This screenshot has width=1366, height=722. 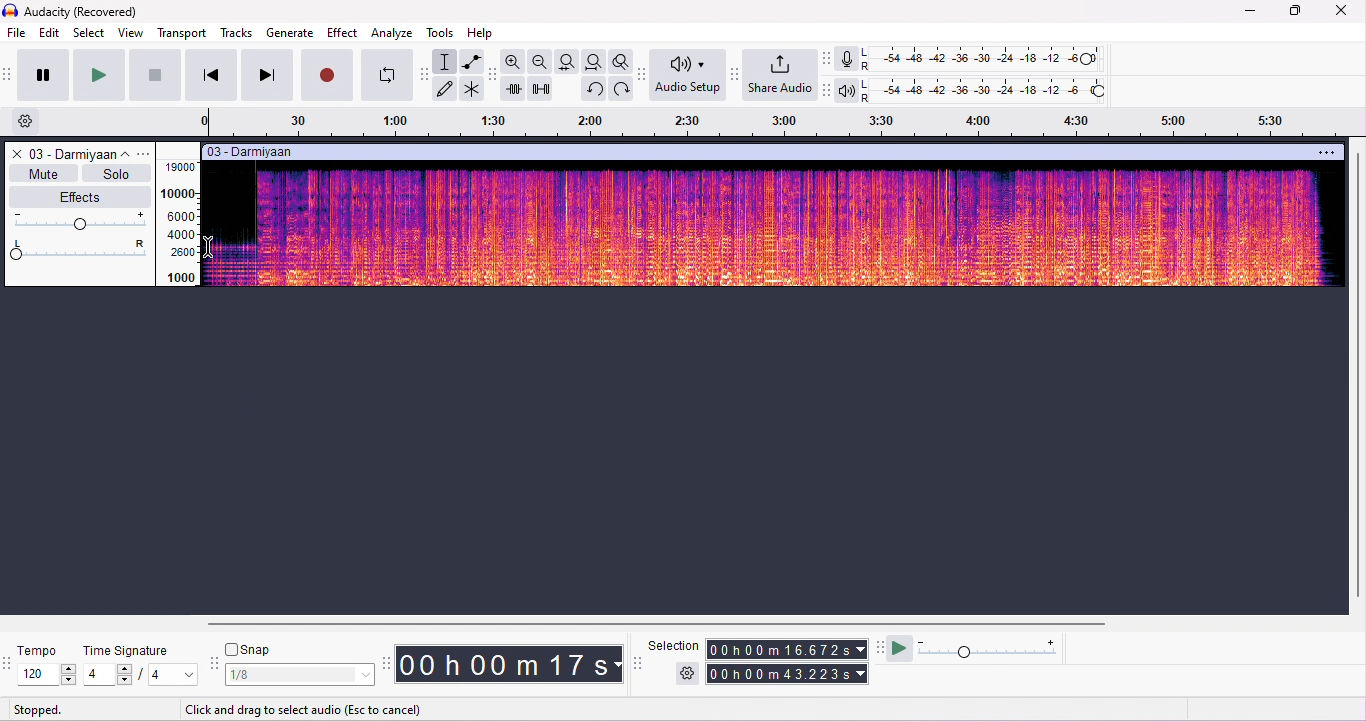 I want to click on title, so click(x=73, y=12).